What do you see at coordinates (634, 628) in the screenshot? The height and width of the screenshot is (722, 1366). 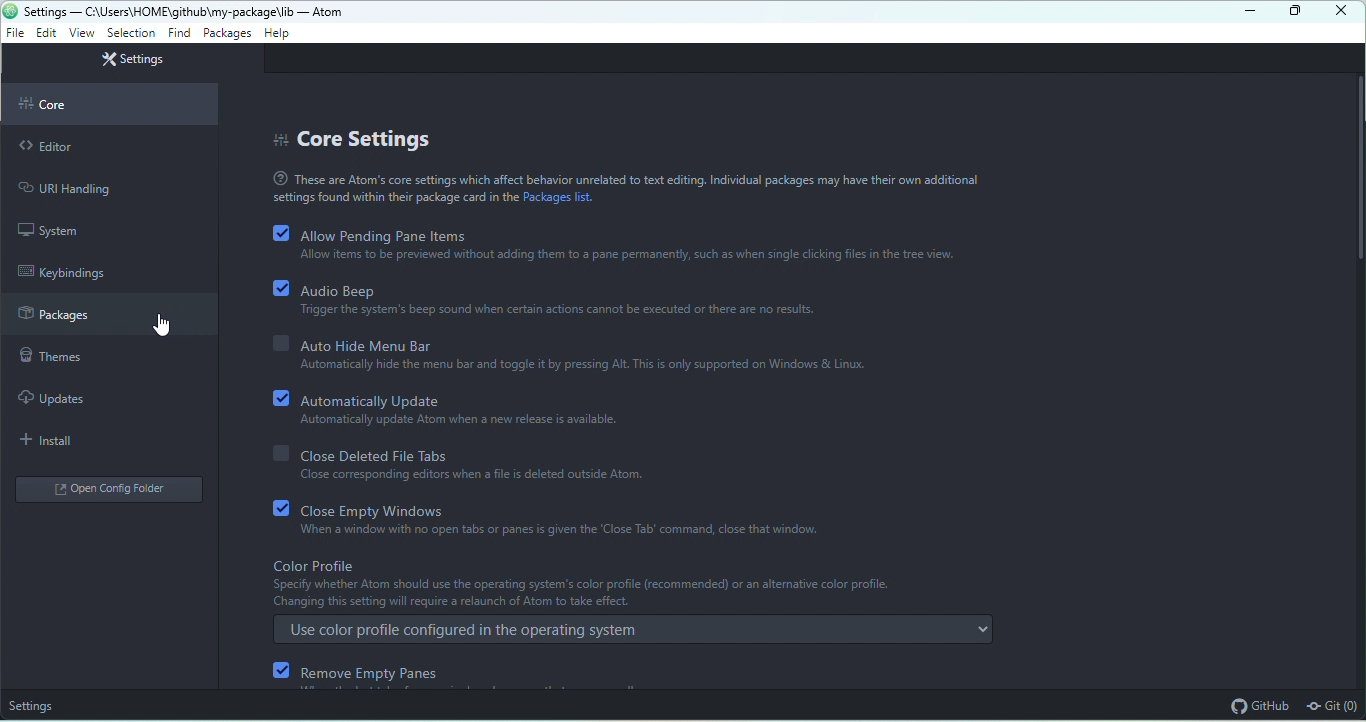 I see `use color profile configured in the operating system` at bounding box center [634, 628].